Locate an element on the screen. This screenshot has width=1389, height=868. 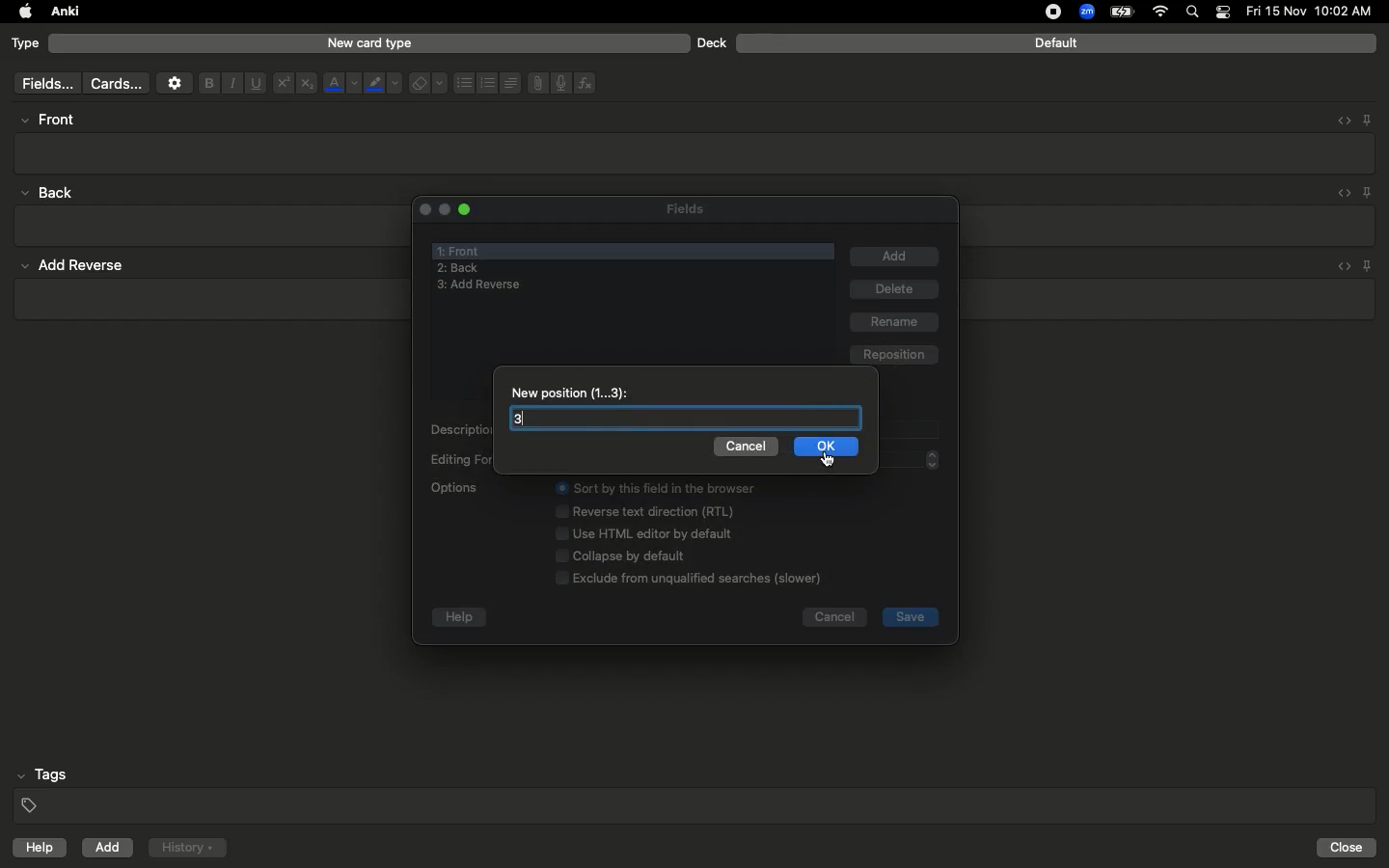
Alignment is located at coordinates (508, 81).